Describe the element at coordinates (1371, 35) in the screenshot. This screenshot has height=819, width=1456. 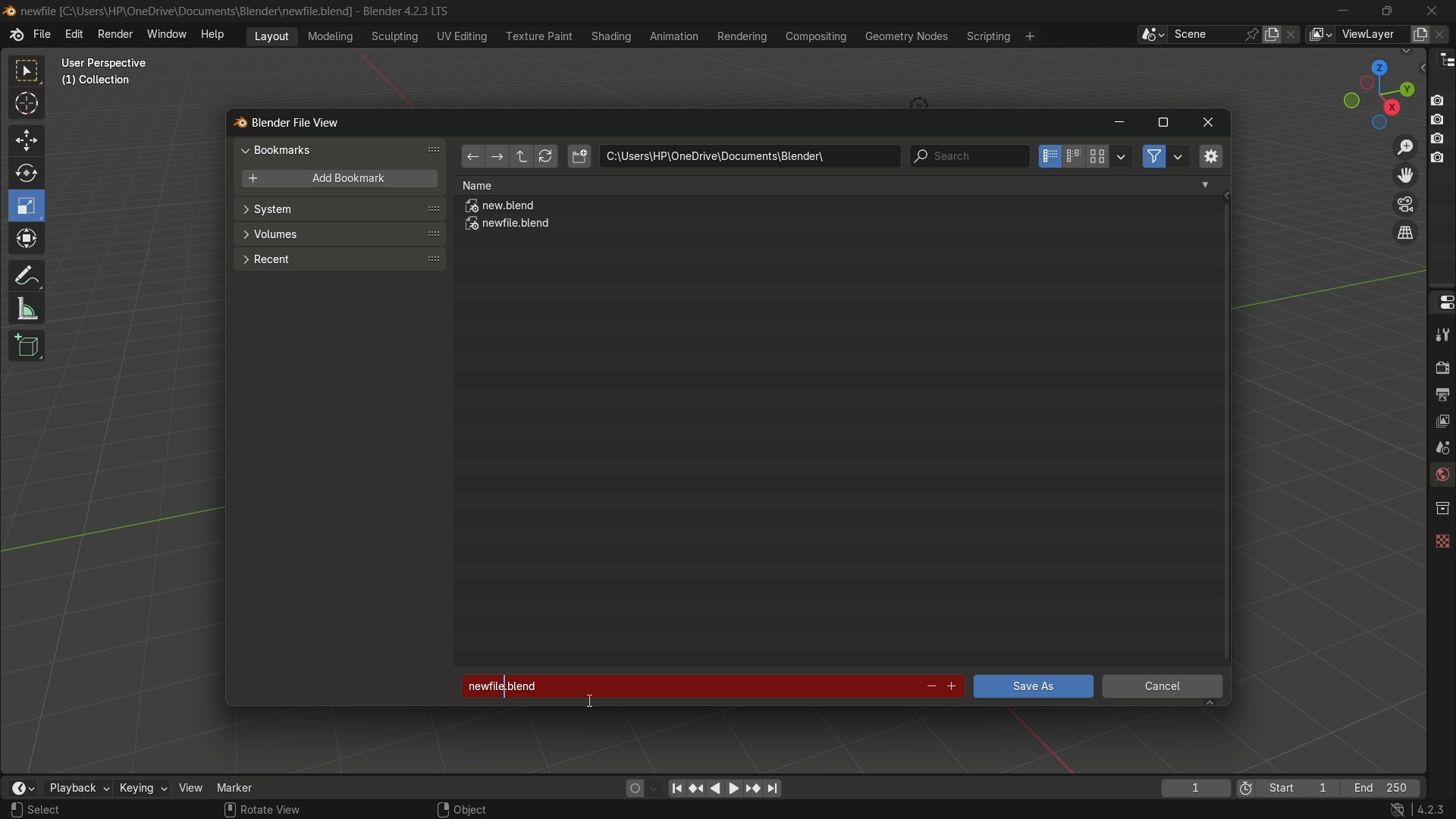
I see `view layer name` at that location.